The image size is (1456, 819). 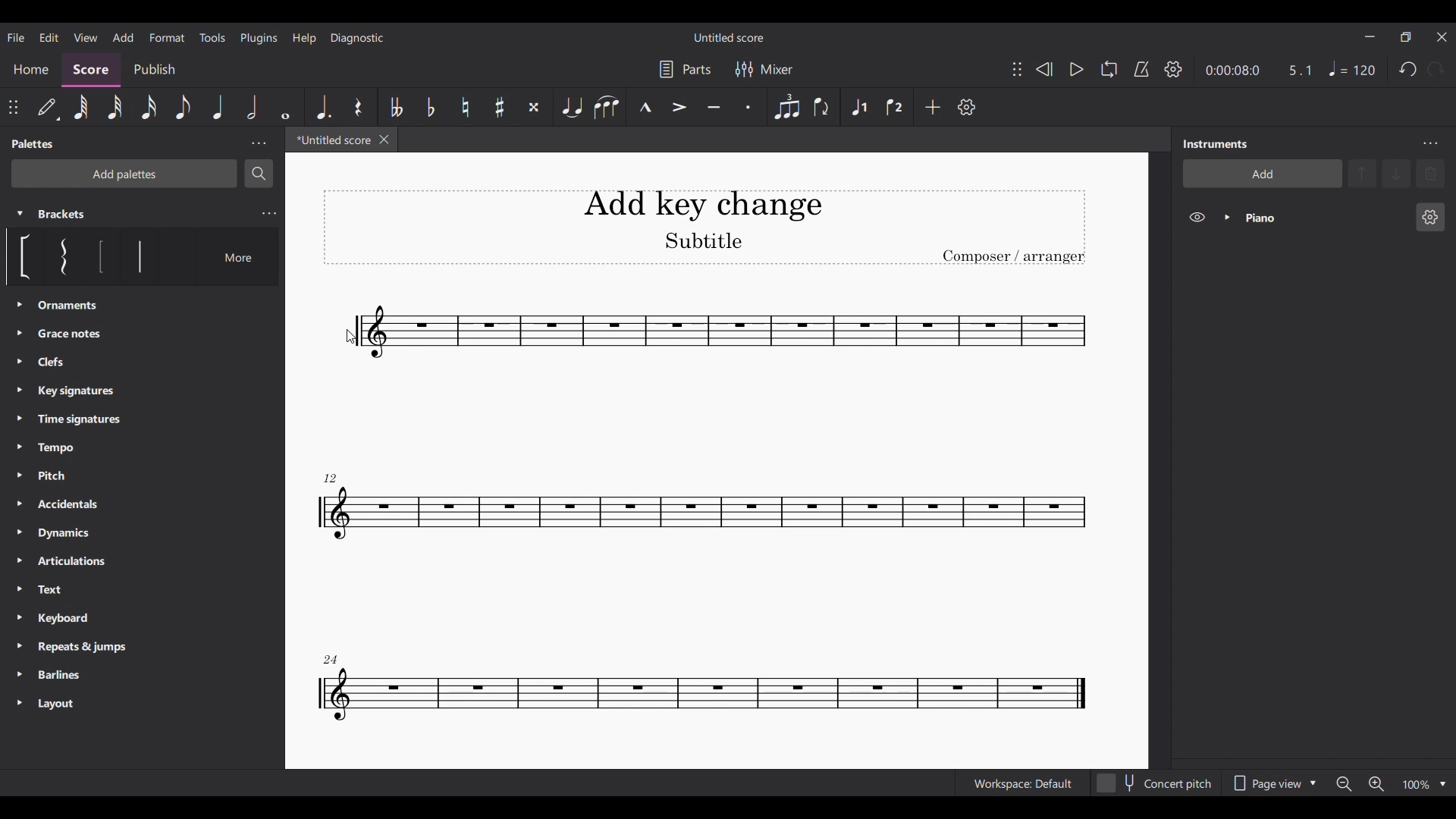 I want to click on Add, so click(x=933, y=107).